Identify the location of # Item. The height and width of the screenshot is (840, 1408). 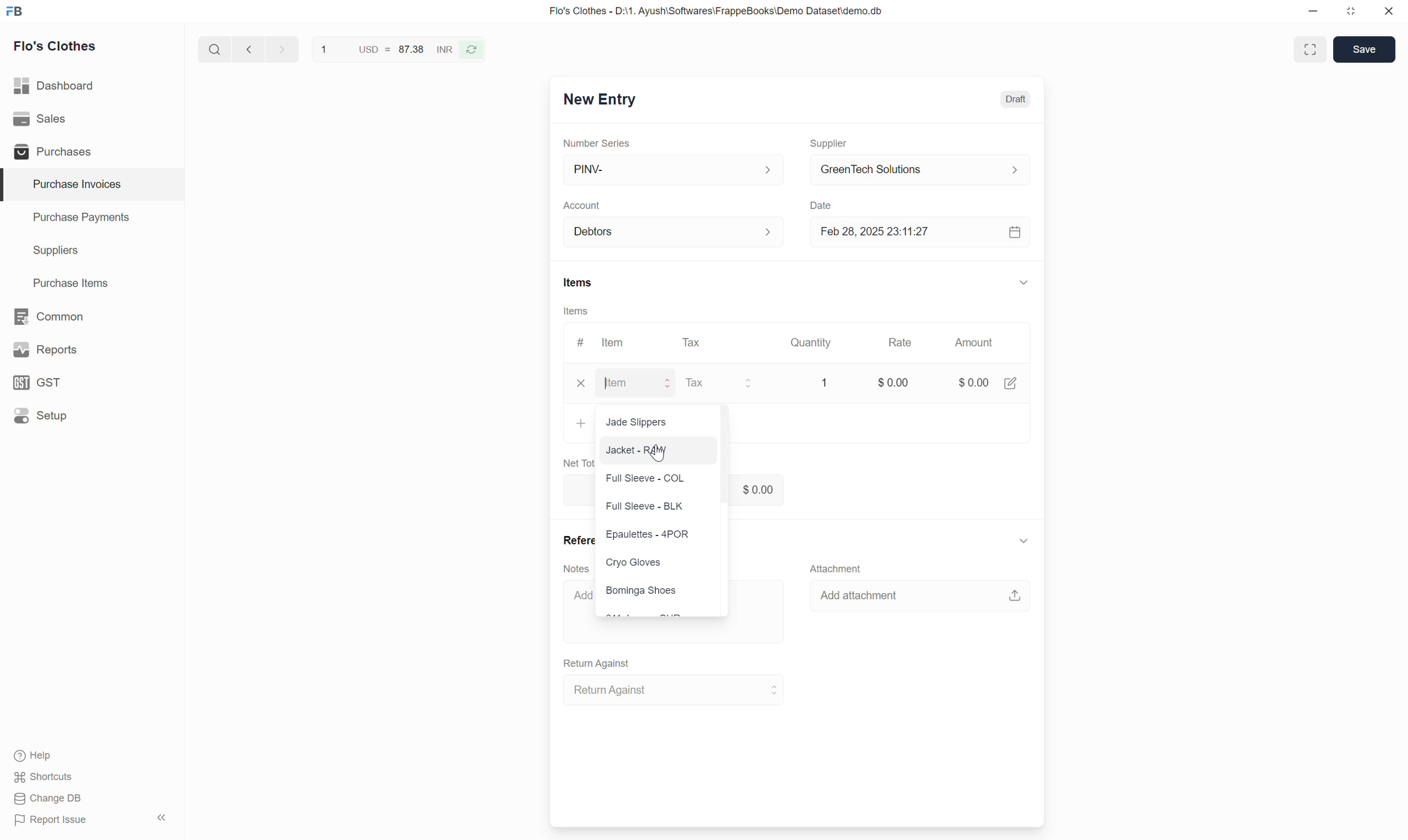
(604, 344).